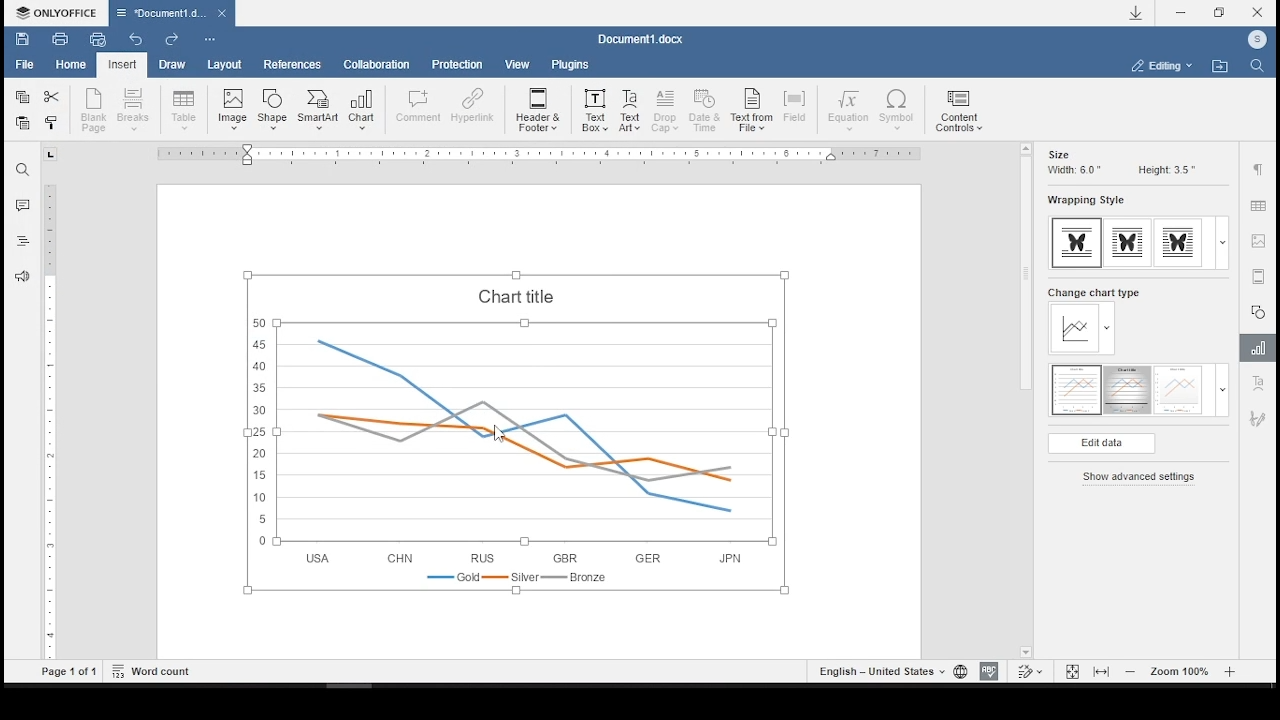  What do you see at coordinates (50, 422) in the screenshot?
I see `scrollbar` at bounding box center [50, 422].